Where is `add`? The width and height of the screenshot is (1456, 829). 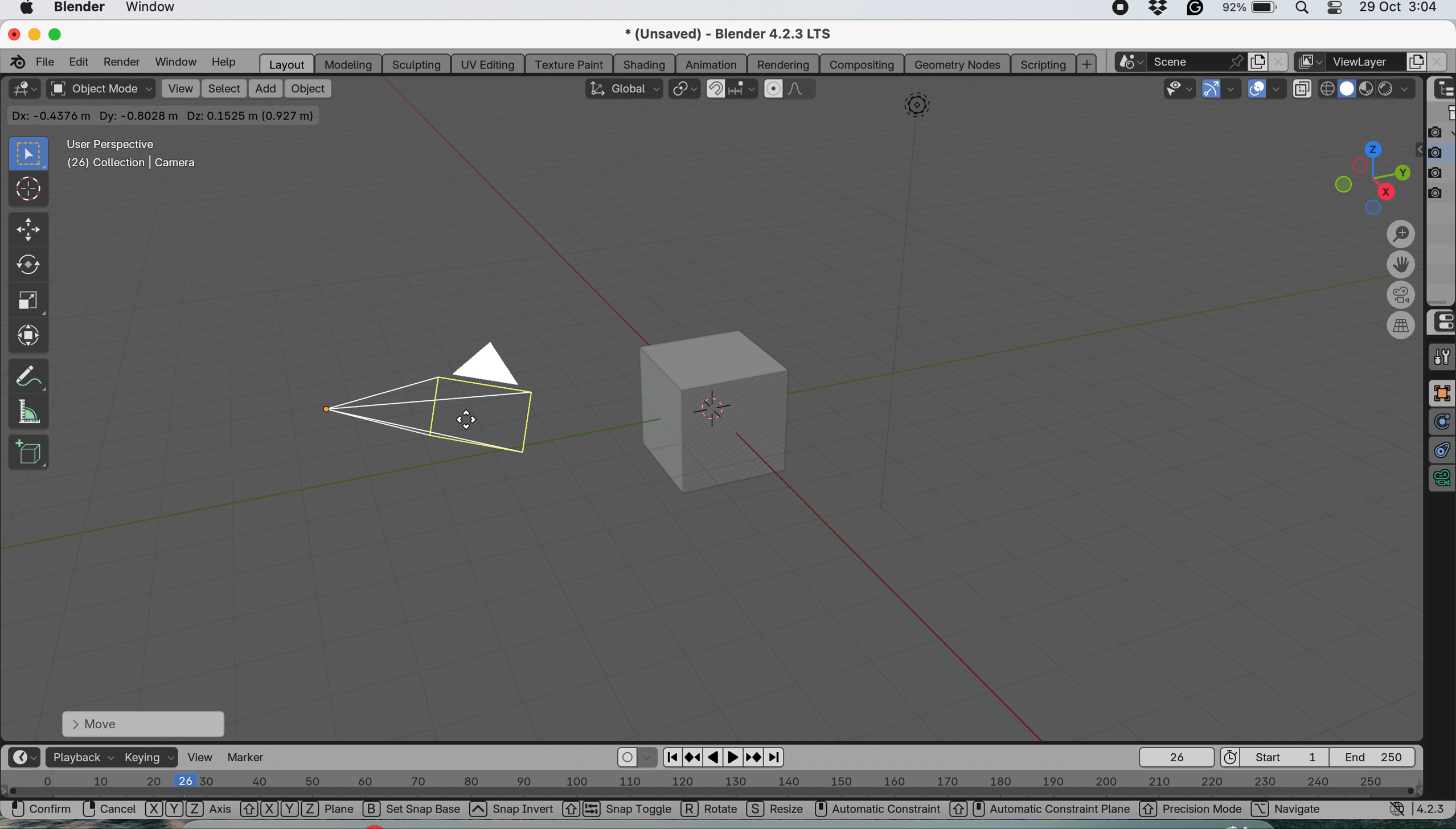
add is located at coordinates (263, 88).